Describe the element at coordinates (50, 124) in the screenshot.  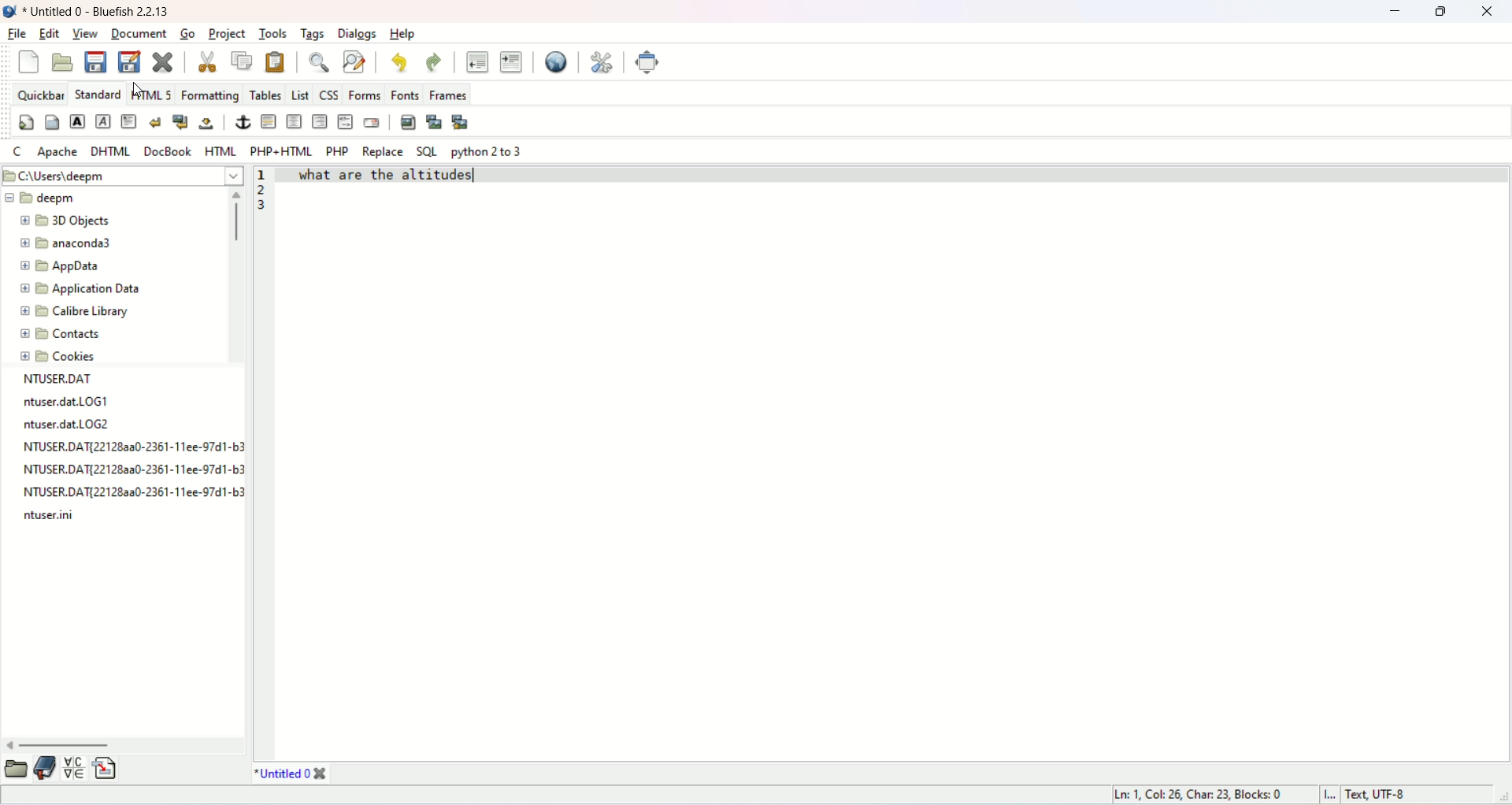
I see `body` at that location.